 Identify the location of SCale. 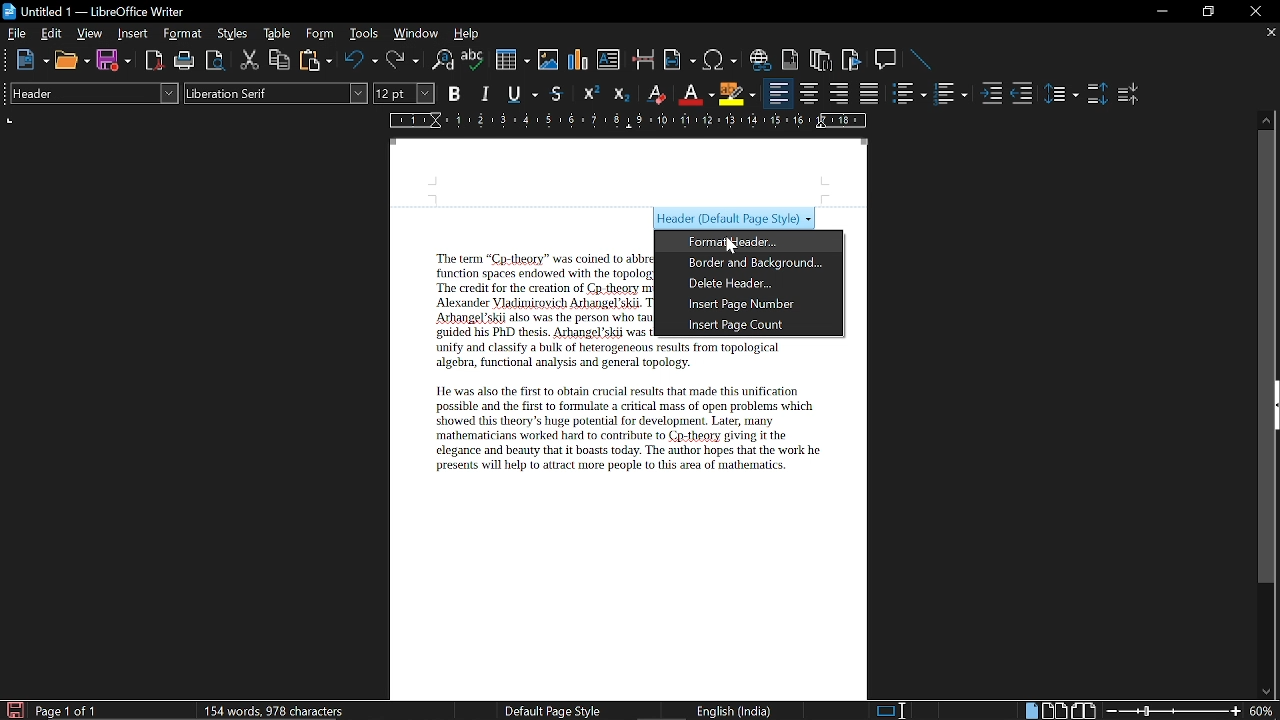
(626, 122).